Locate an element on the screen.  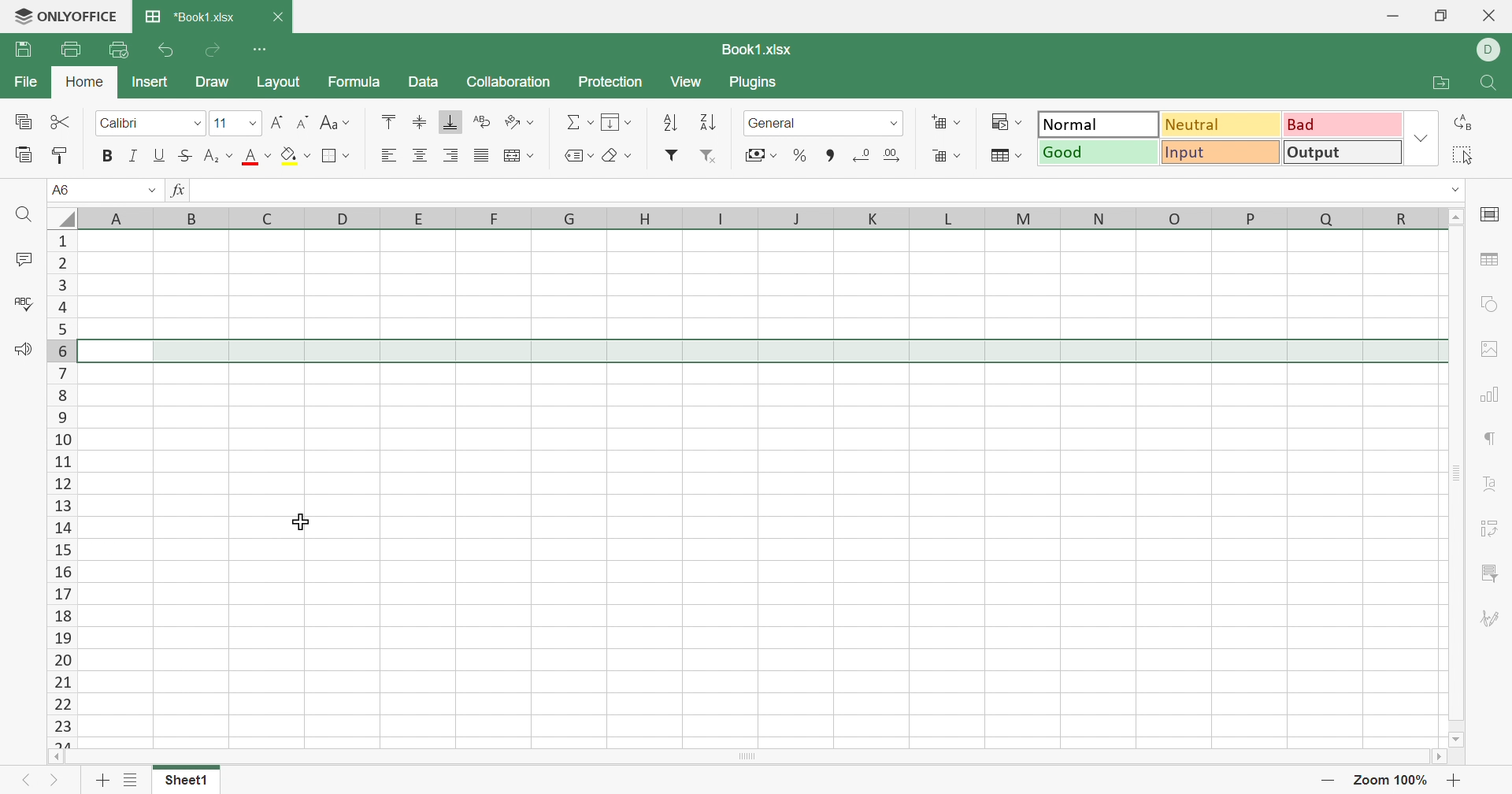
Select all is located at coordinates (1466, 155).